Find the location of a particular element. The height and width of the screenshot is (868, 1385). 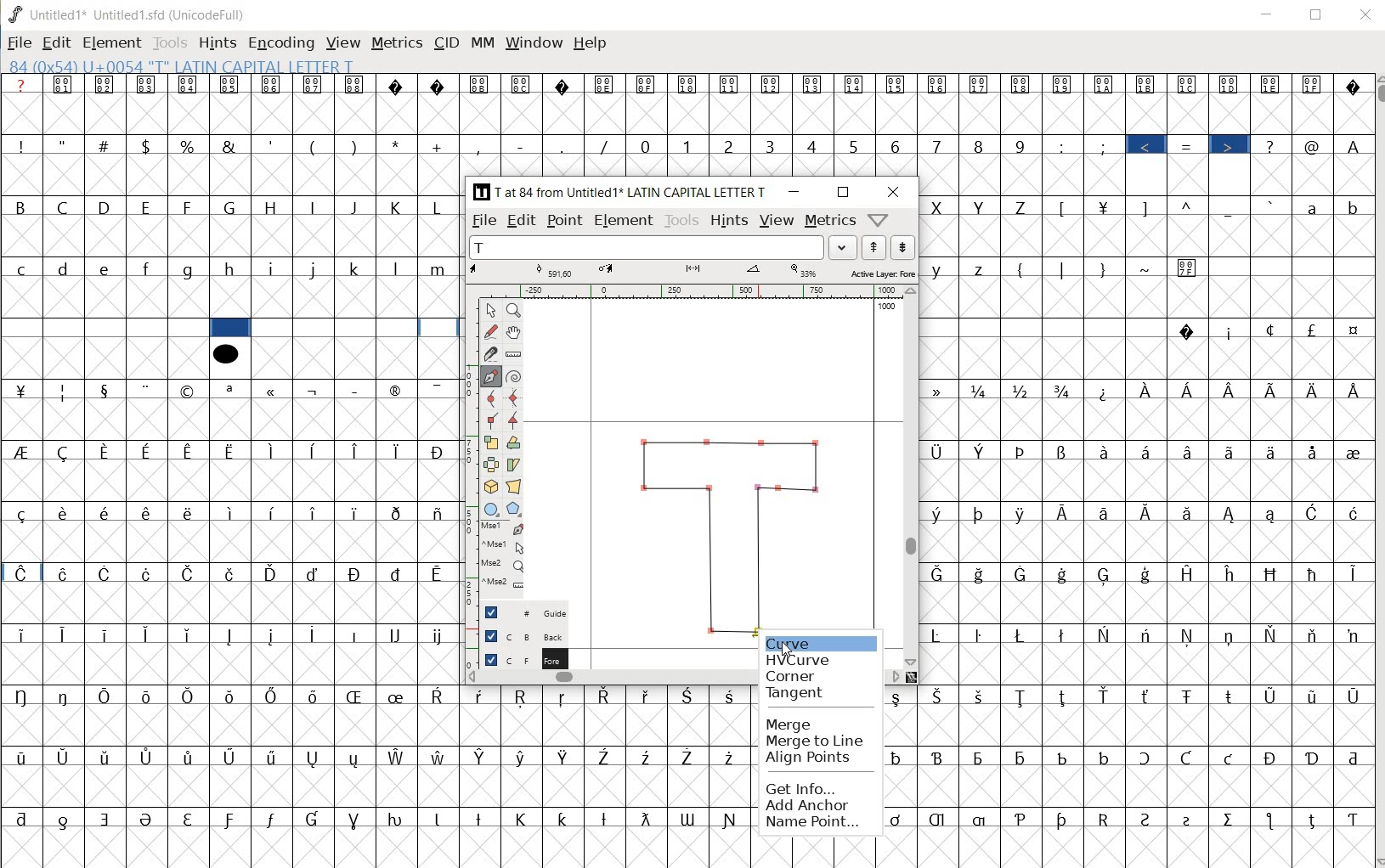

knife is located at coordinates (491, 352).